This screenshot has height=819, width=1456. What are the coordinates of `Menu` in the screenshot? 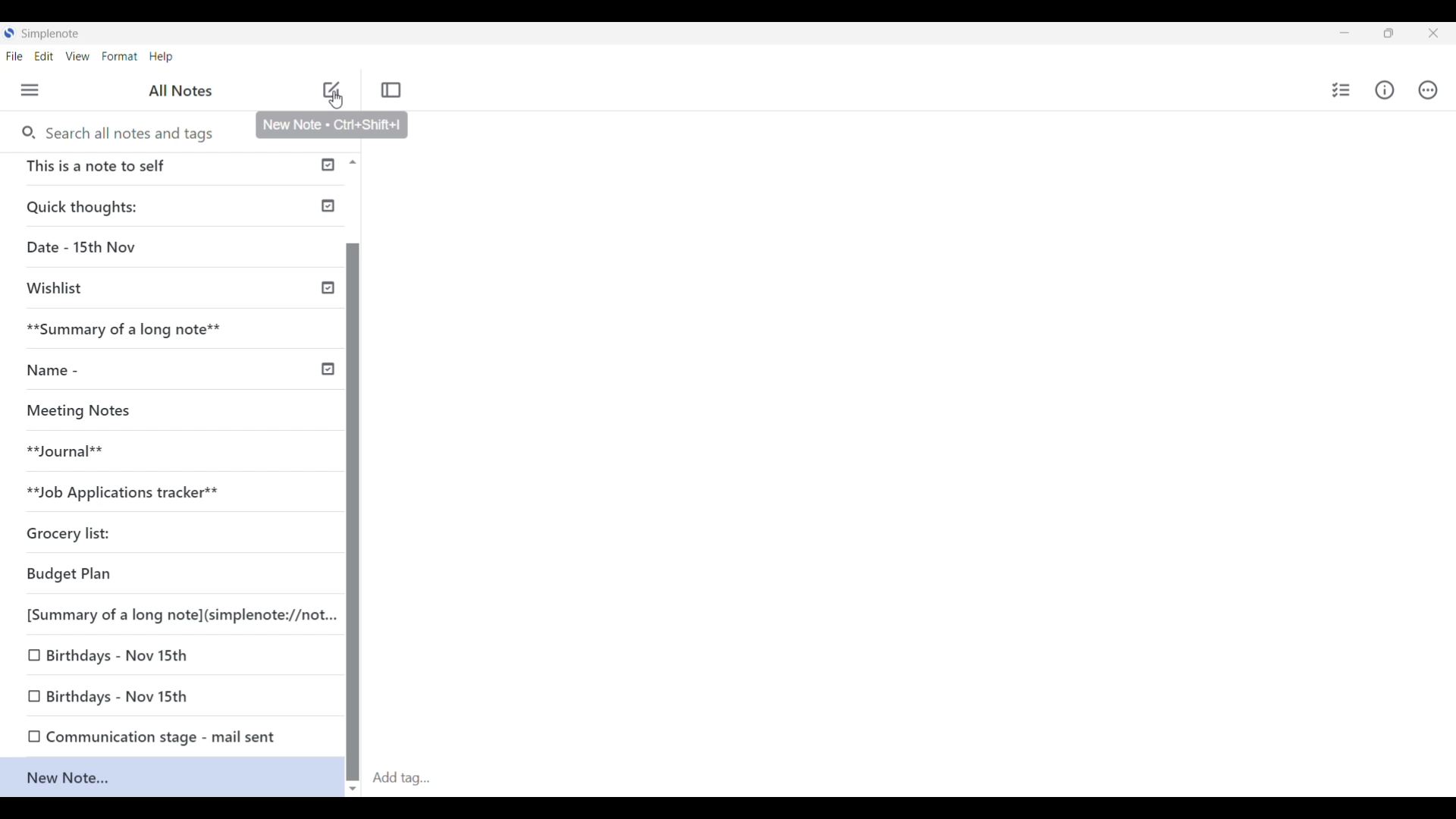 It's located at (30, 90).